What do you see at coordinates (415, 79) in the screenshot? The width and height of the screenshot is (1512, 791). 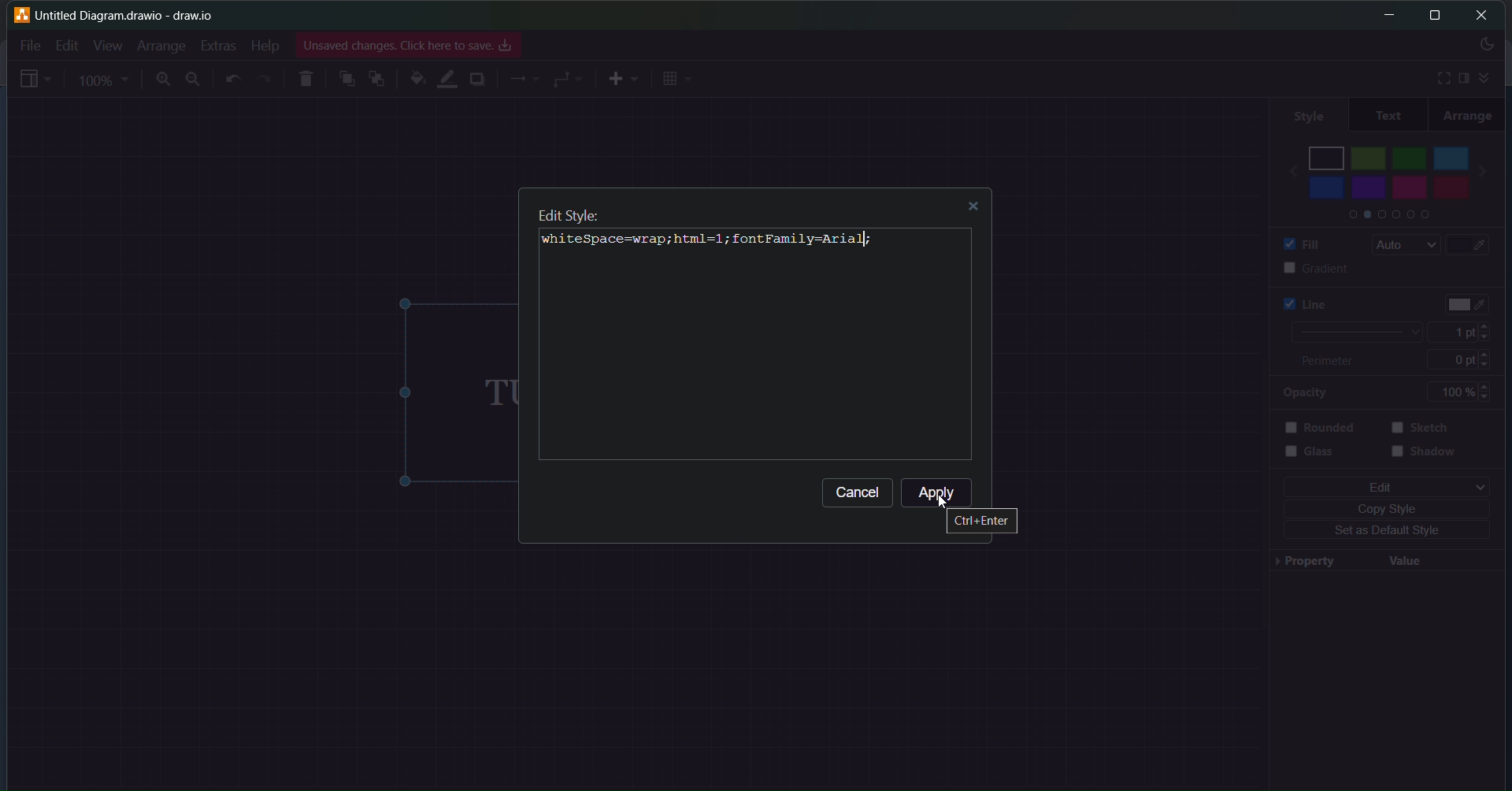 I see `fill color` at bounding box center [415, 79].